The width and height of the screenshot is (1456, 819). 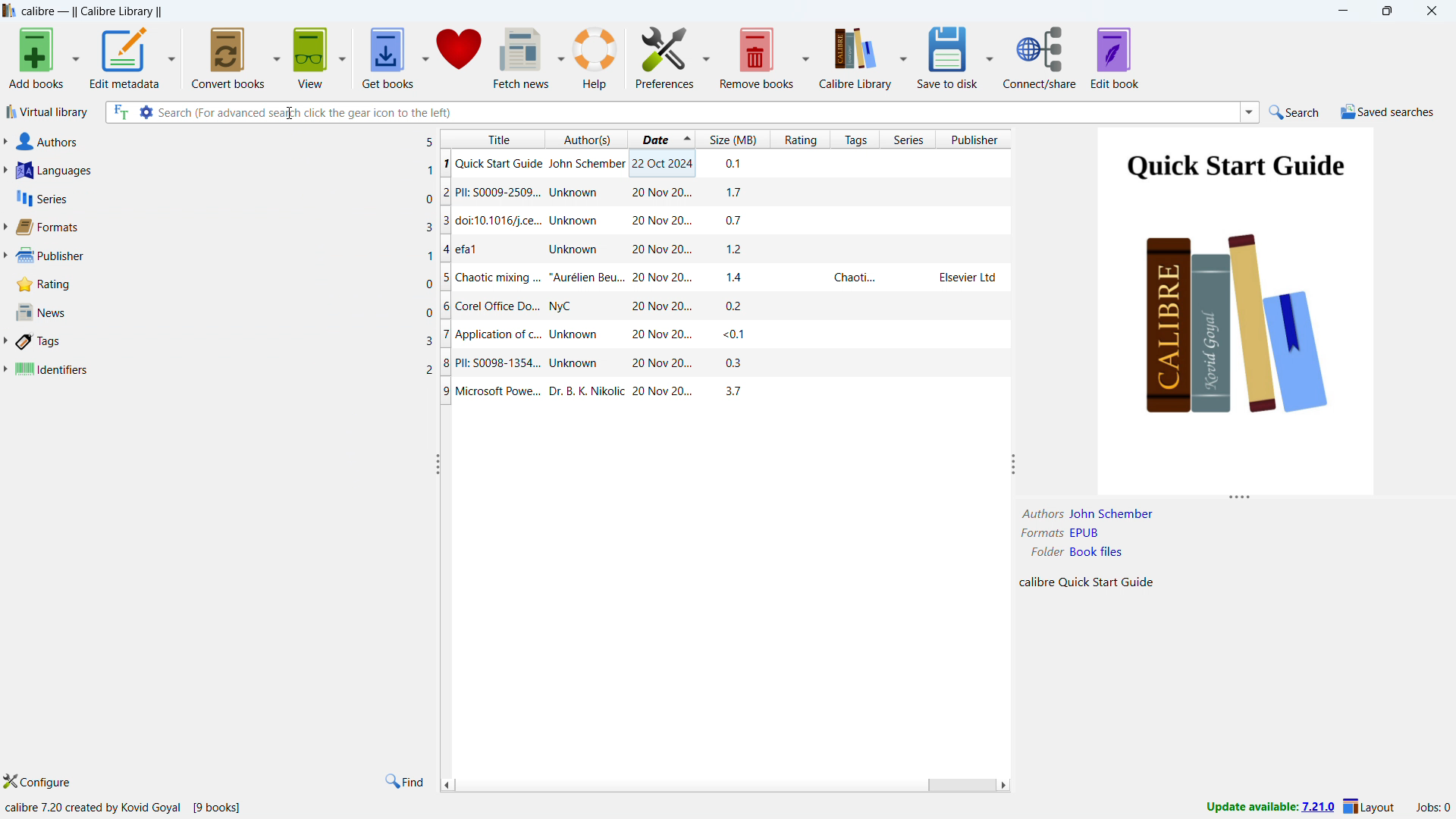 I want to click on sort by publisher, so click(x=977, y=139).